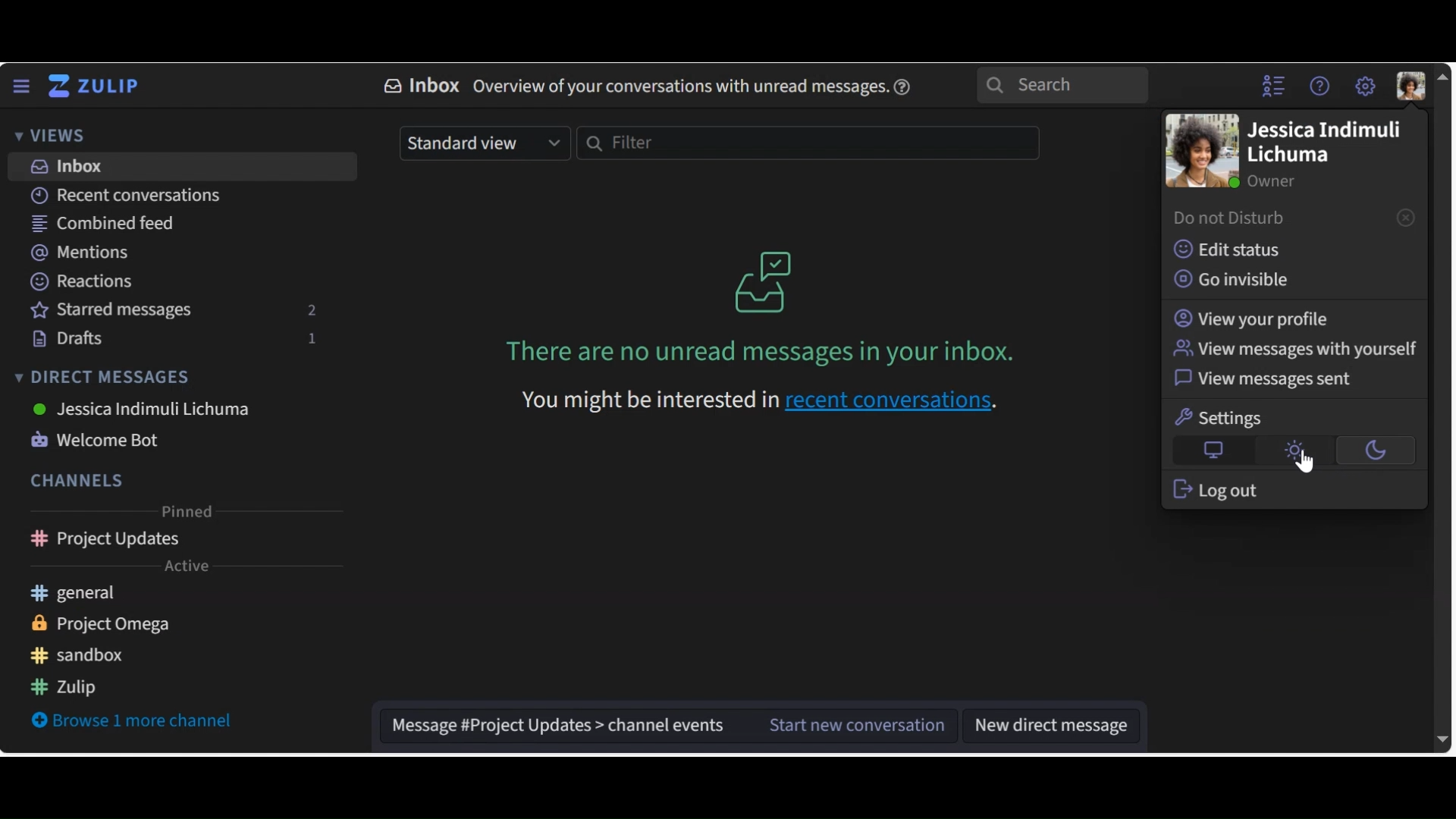 This screenshot has height=819, width=1456. What do you see at coordinates (178, 312) in the screenshot?
I see `Starred messages` at bounding box center [178, 312].